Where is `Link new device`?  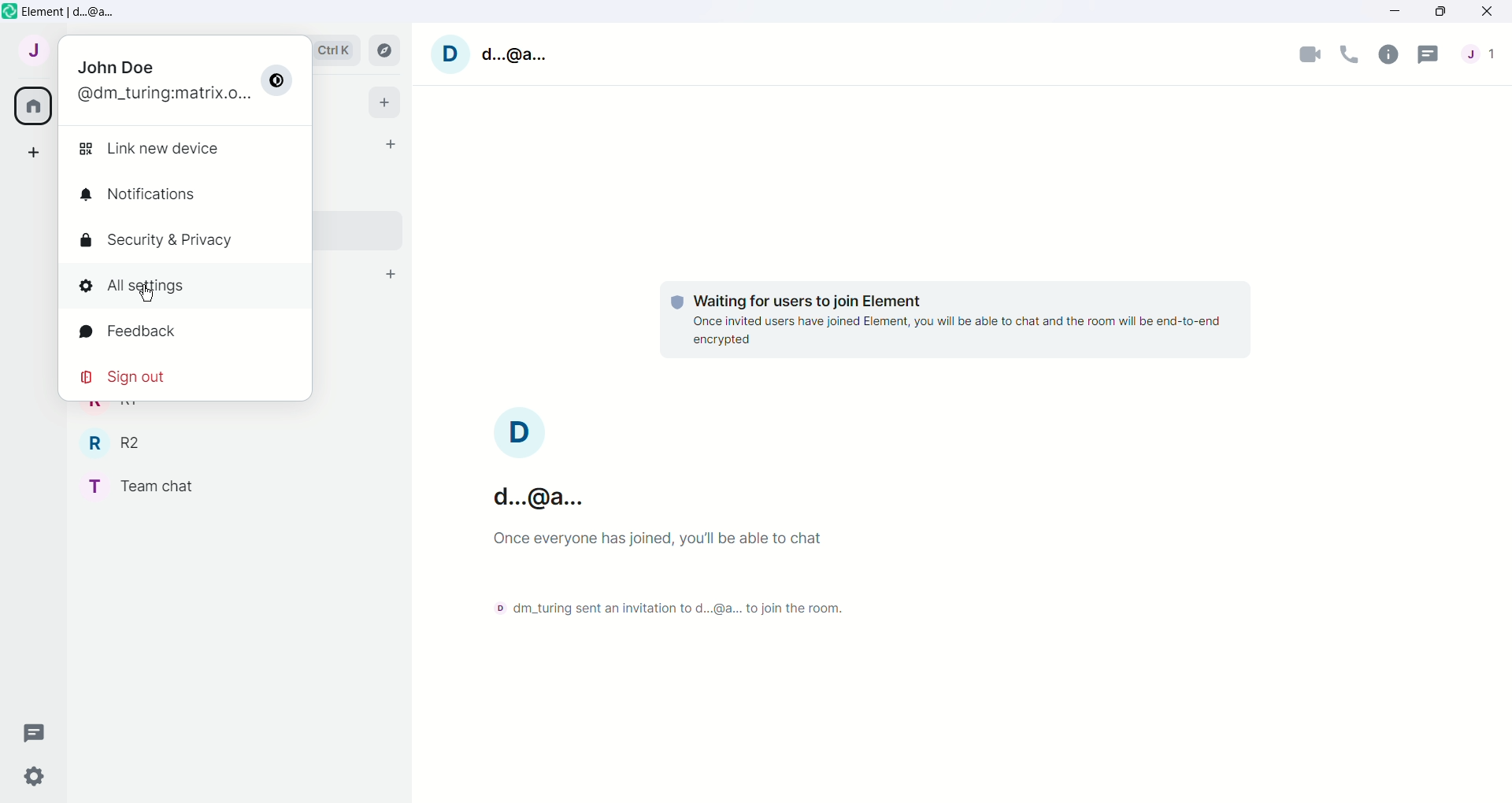
Link new device is located at coordinates (185, 149).